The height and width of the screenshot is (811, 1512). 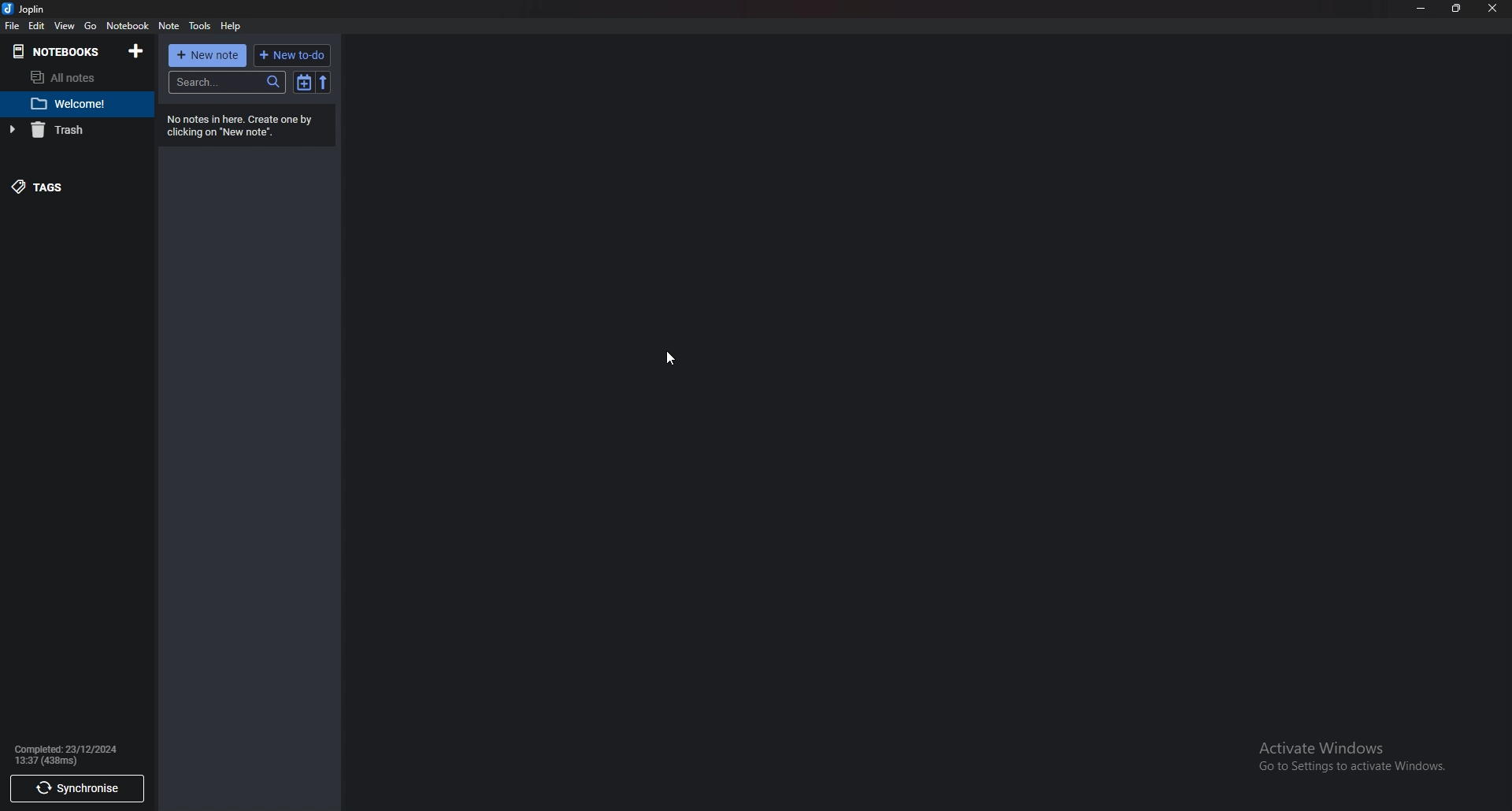 What do you see at coordinates (60, 186) in the screenshot?
I see `Tags` at bounding box center [60, 186].